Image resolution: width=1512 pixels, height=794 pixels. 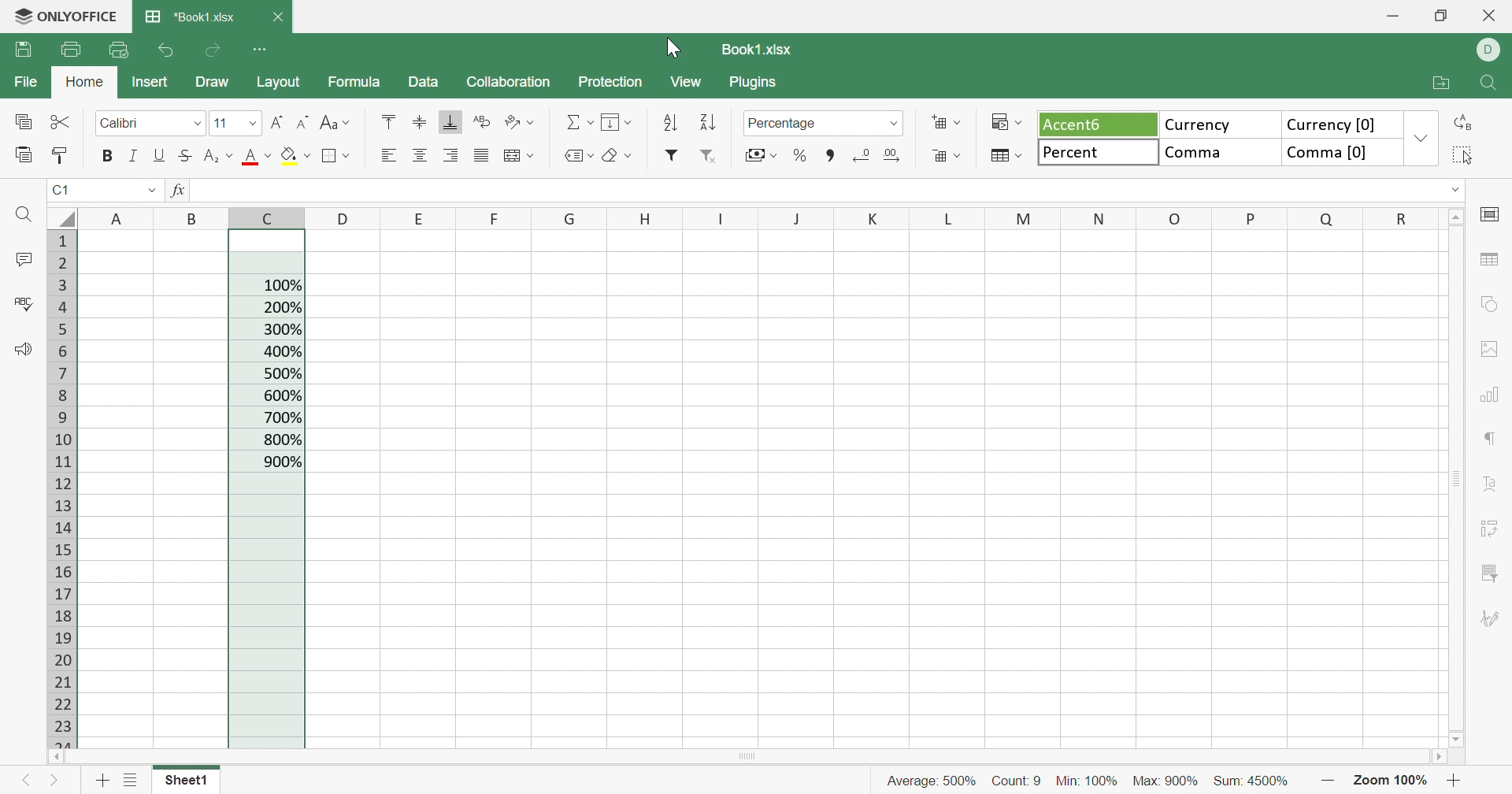 What do you see at coordinates (24, 157) in the screenshot?
I see `Paste` at bounding box center [24, 157].